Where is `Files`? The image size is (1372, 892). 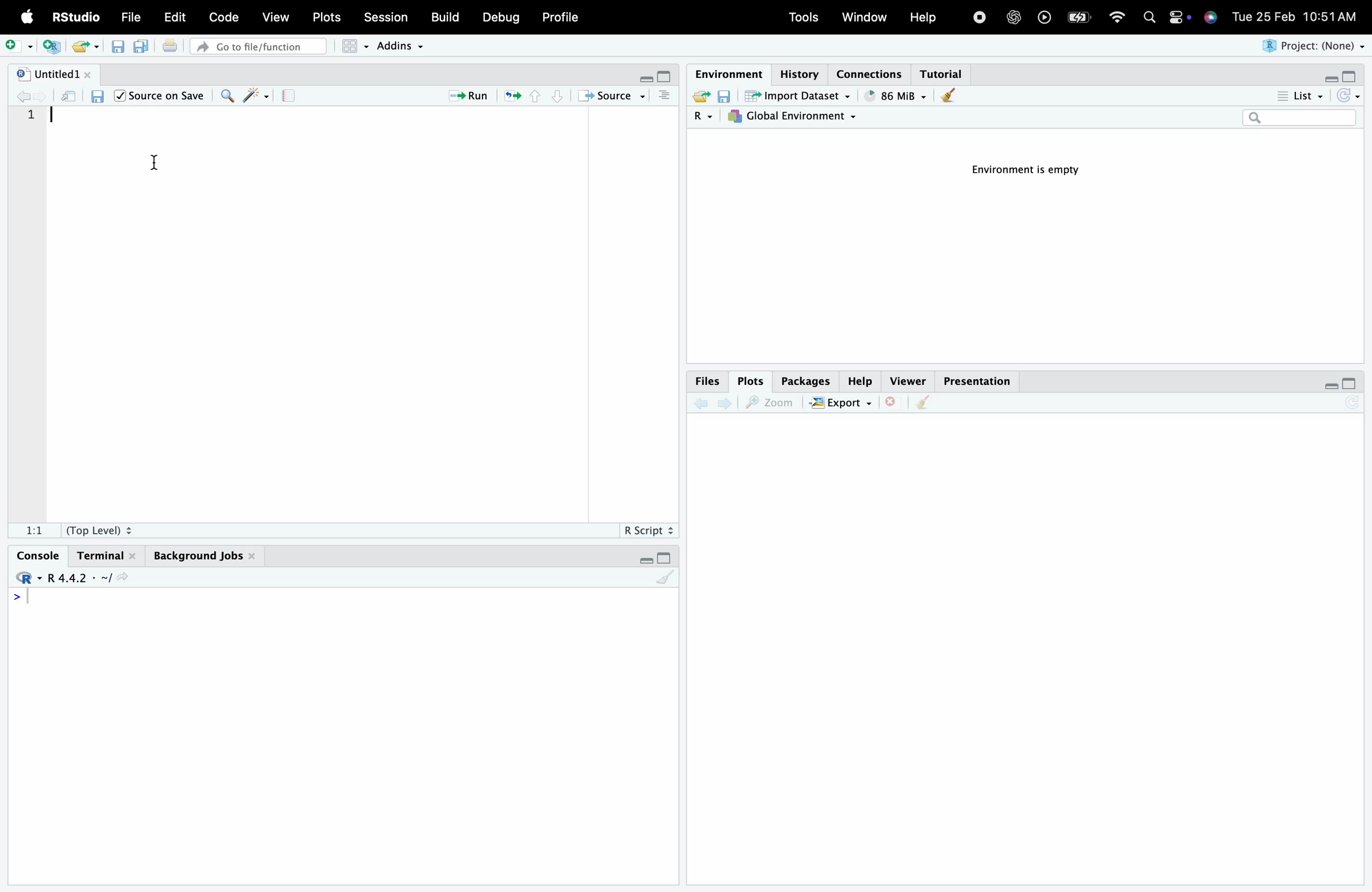
Files is located at coordinates (706, 383).